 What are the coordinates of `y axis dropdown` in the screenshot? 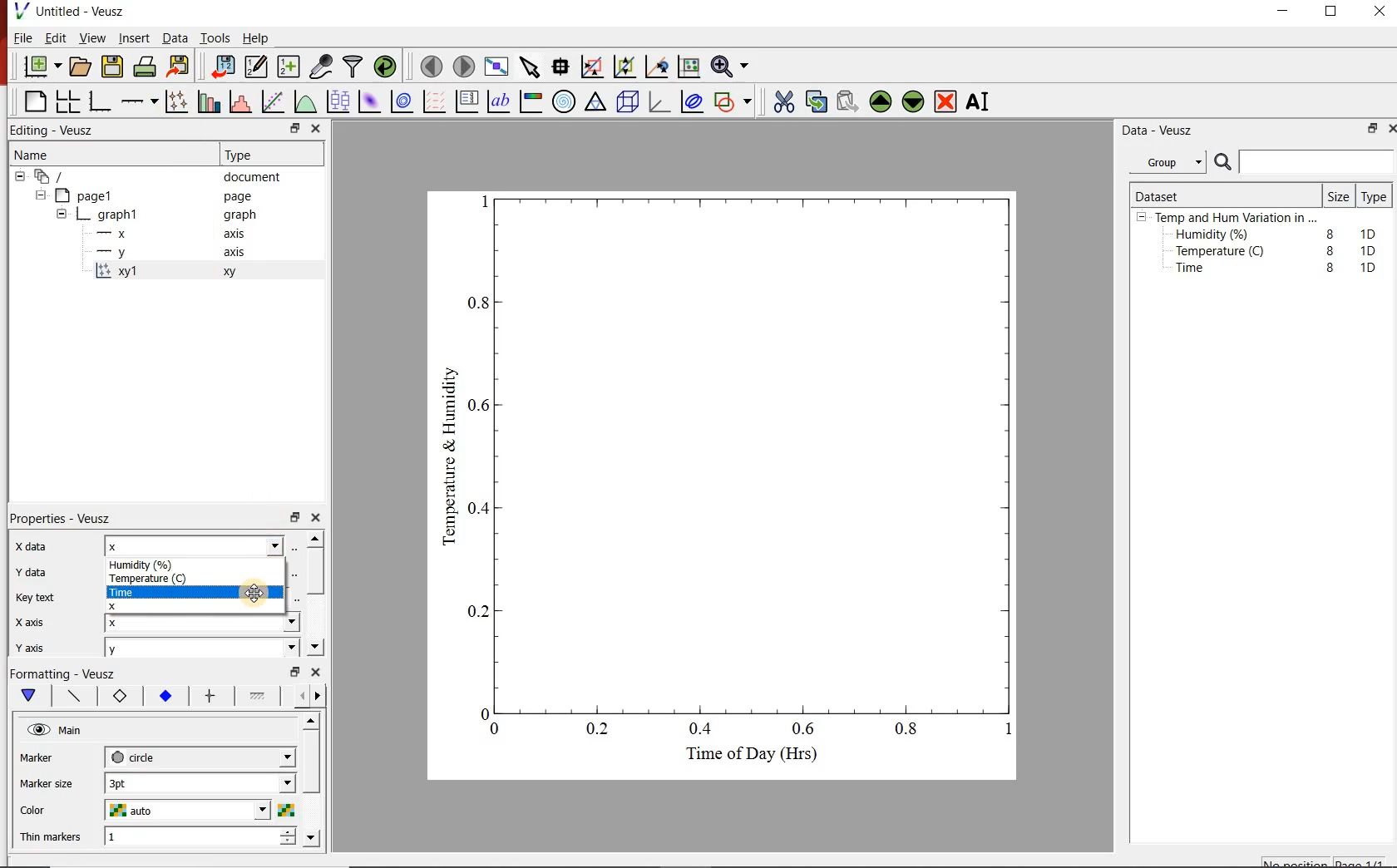 It's located at (259, 650).